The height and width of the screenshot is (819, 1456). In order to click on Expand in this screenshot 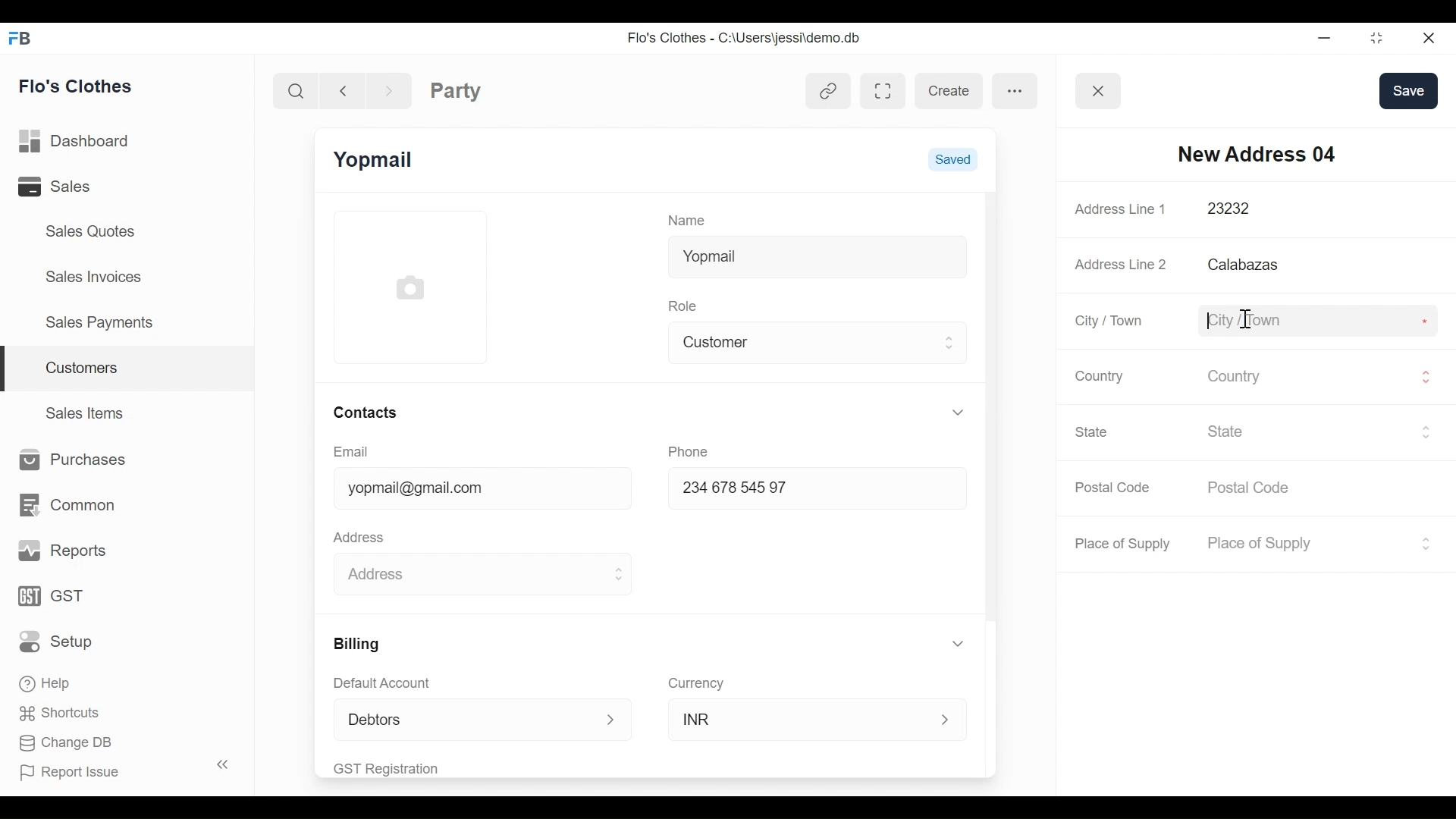, I will do `click(612, 720)`.